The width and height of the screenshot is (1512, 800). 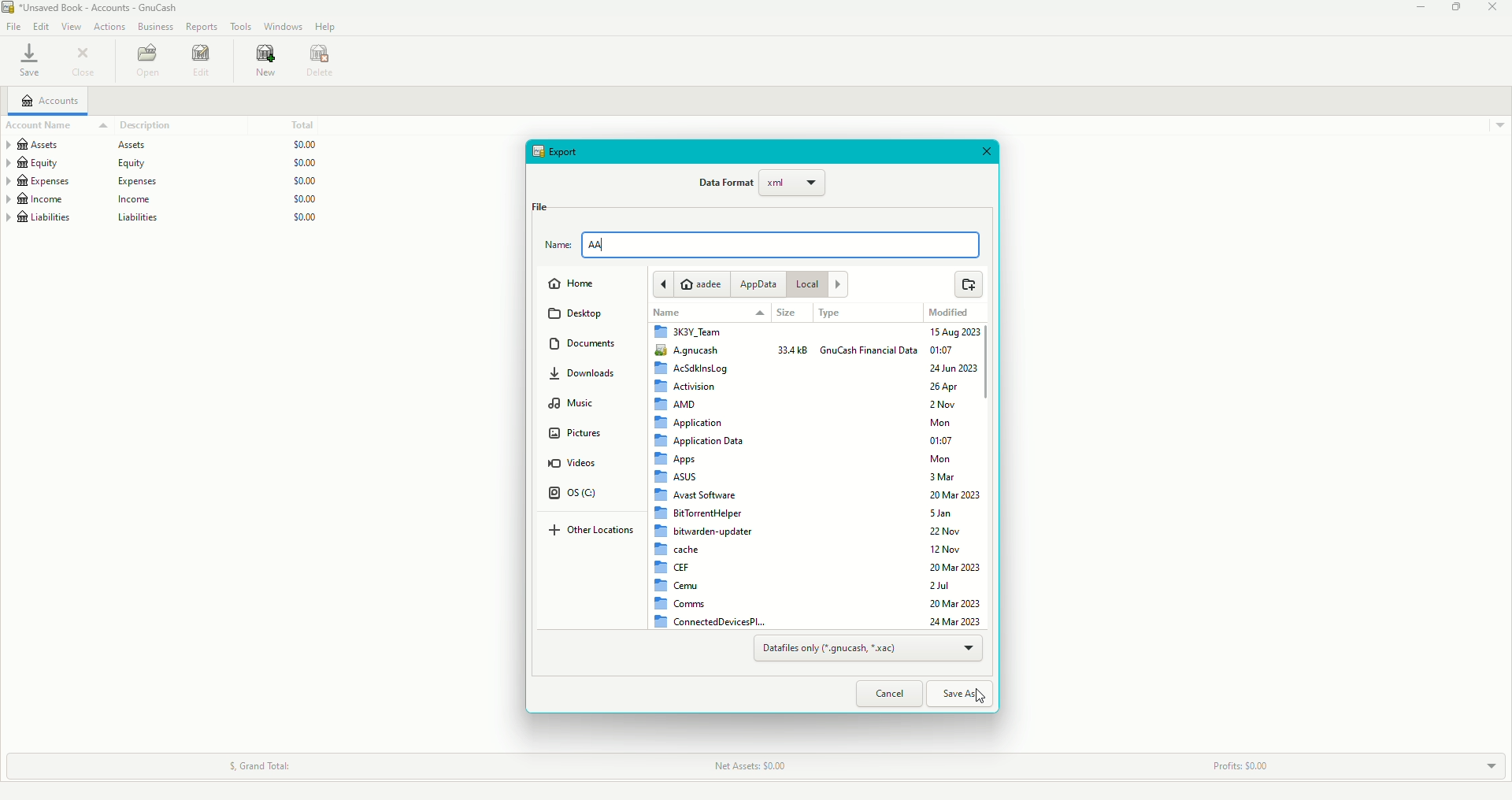 What do you see at coordinates (762, 246) in the screenshot?
I see `File name` at bounding box center [762, 246].